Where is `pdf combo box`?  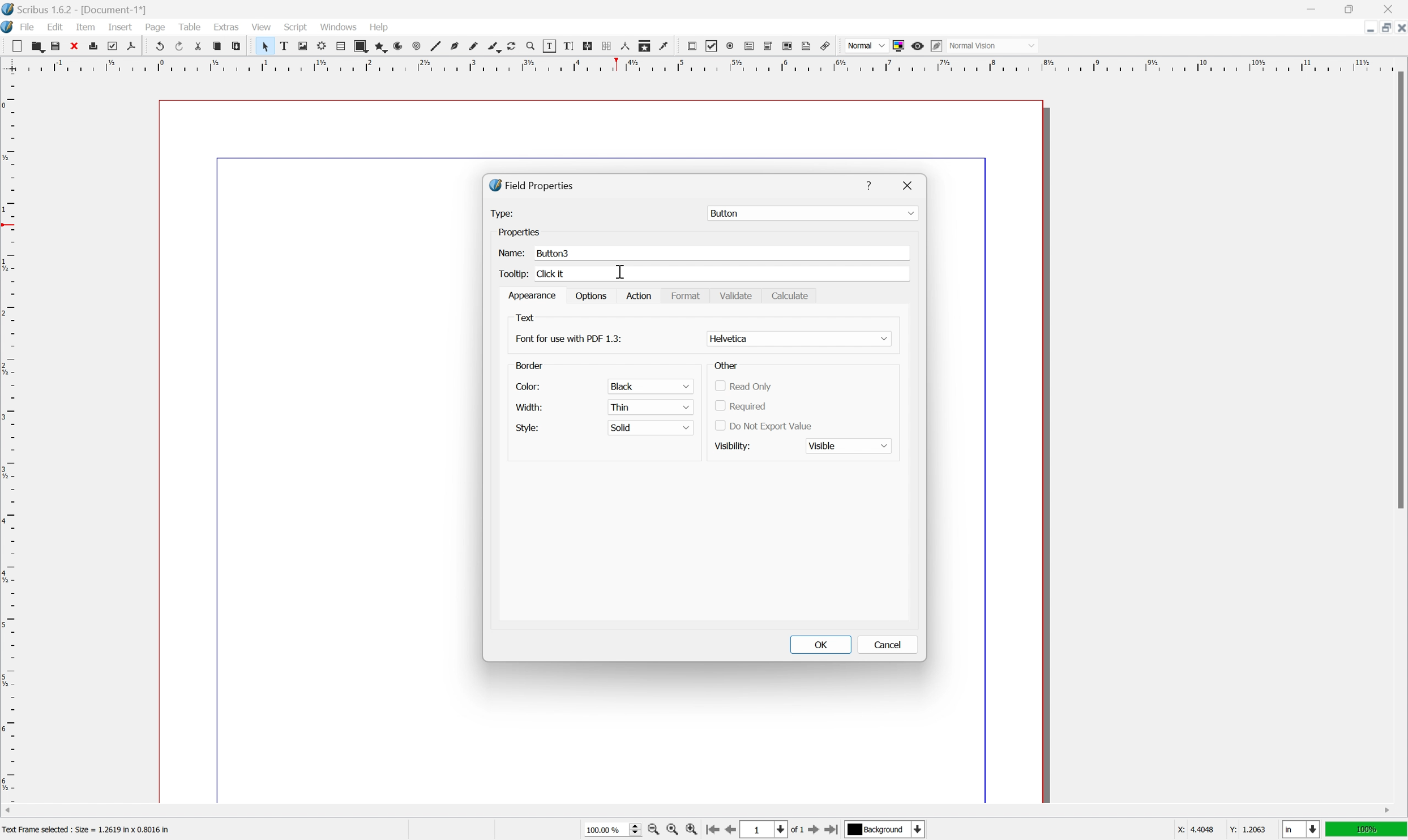 pdf combo box is located at coordinates (769, 45).